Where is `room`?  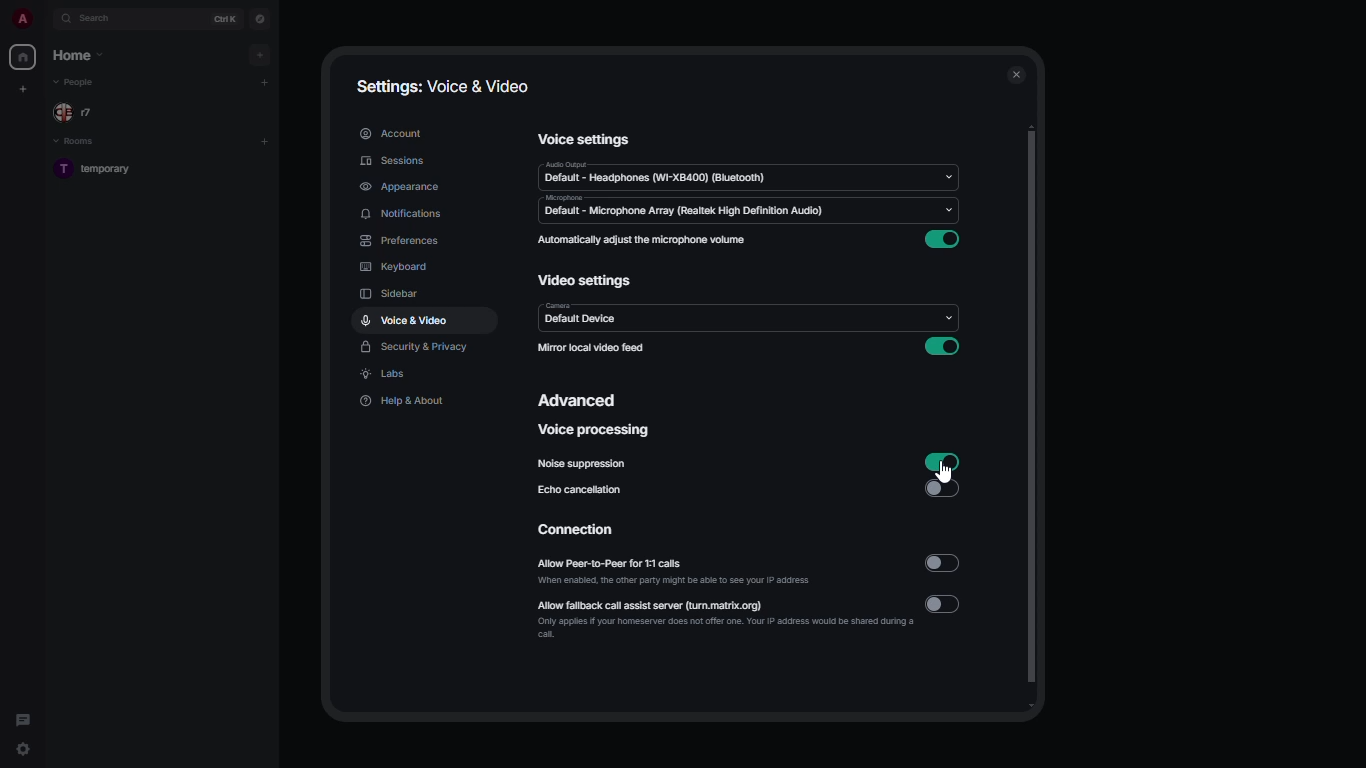
room is located at coordinates (101, 170).